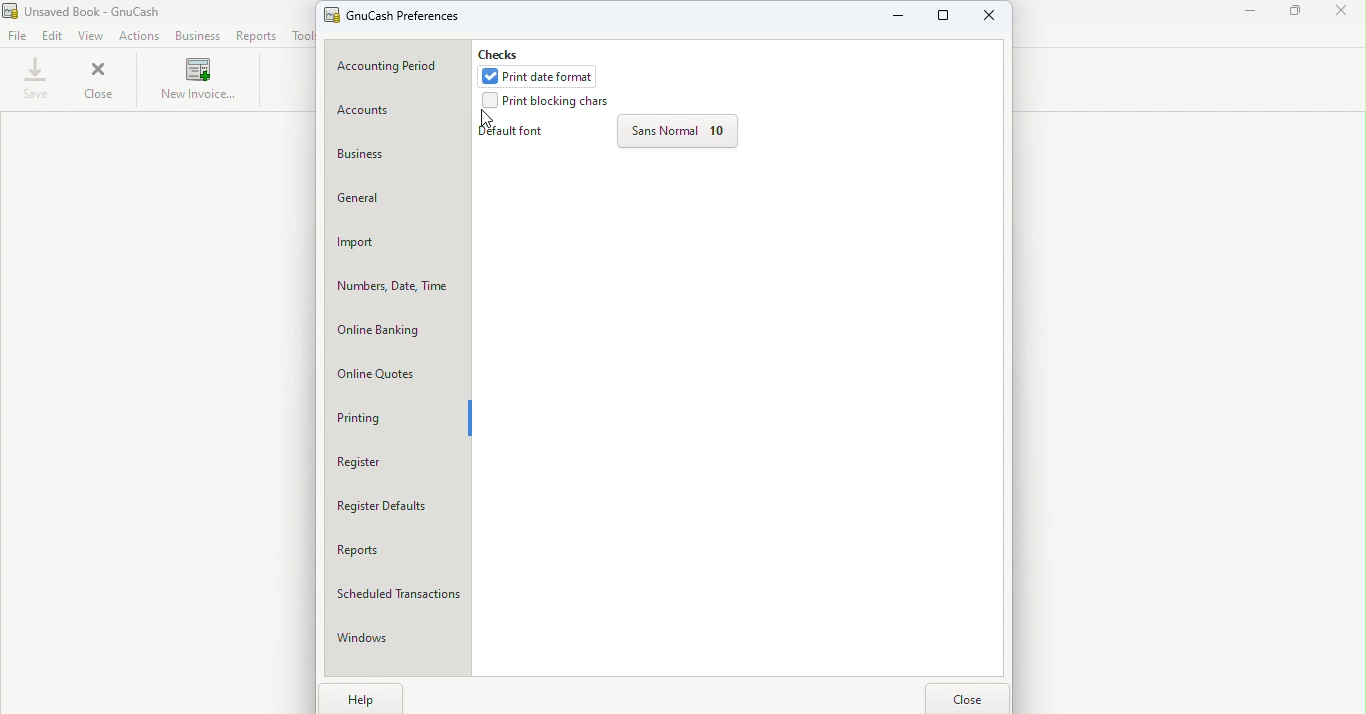 This screenshot has width=1366, height=714. What do you see at coordinates (677, 129) in the screenshot?
I see `Sans normal 10` at bounding box center [677, 129].